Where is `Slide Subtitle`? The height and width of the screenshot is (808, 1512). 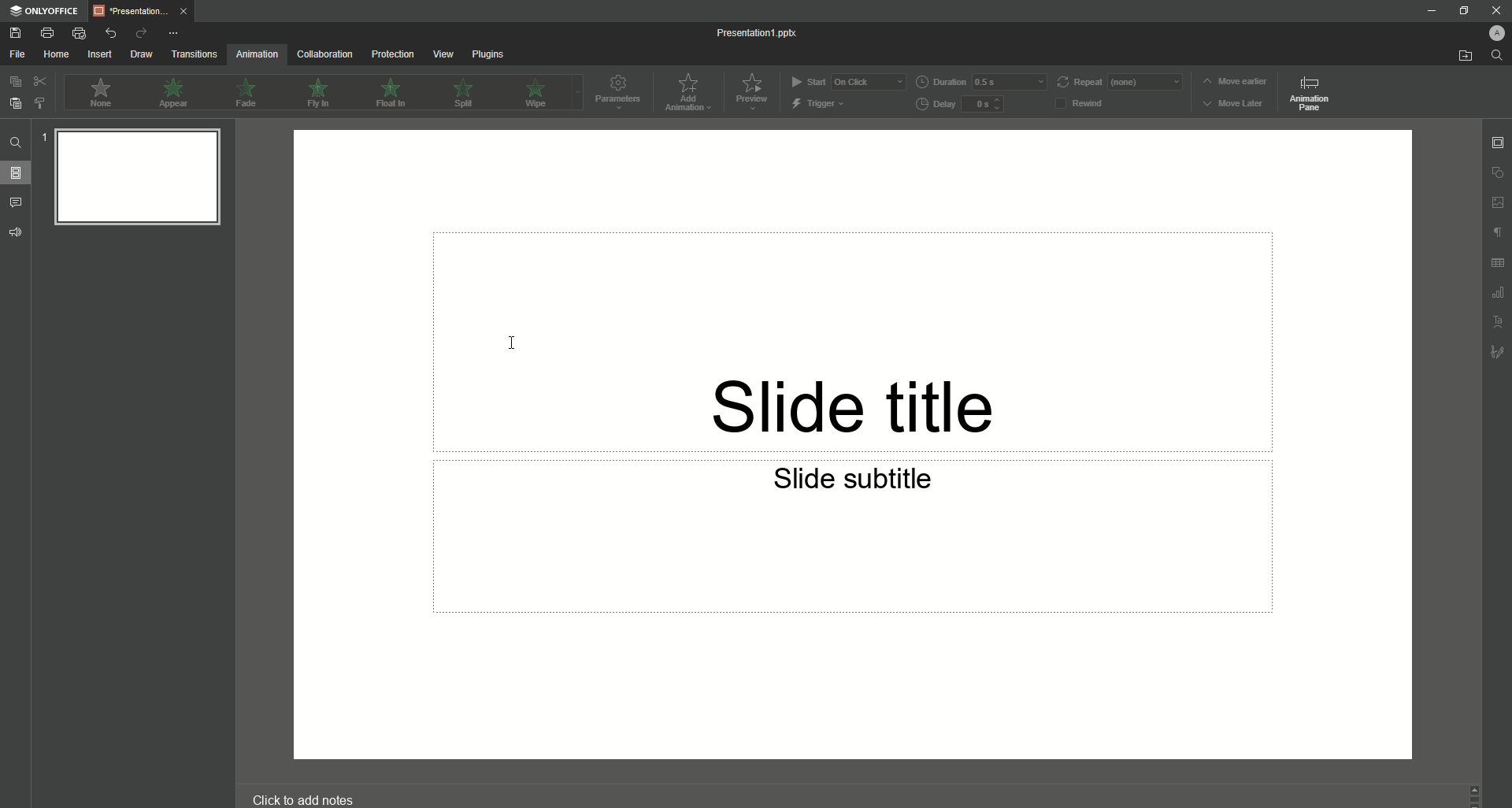 Slide Subtitle is located at coordinates (859, 482).